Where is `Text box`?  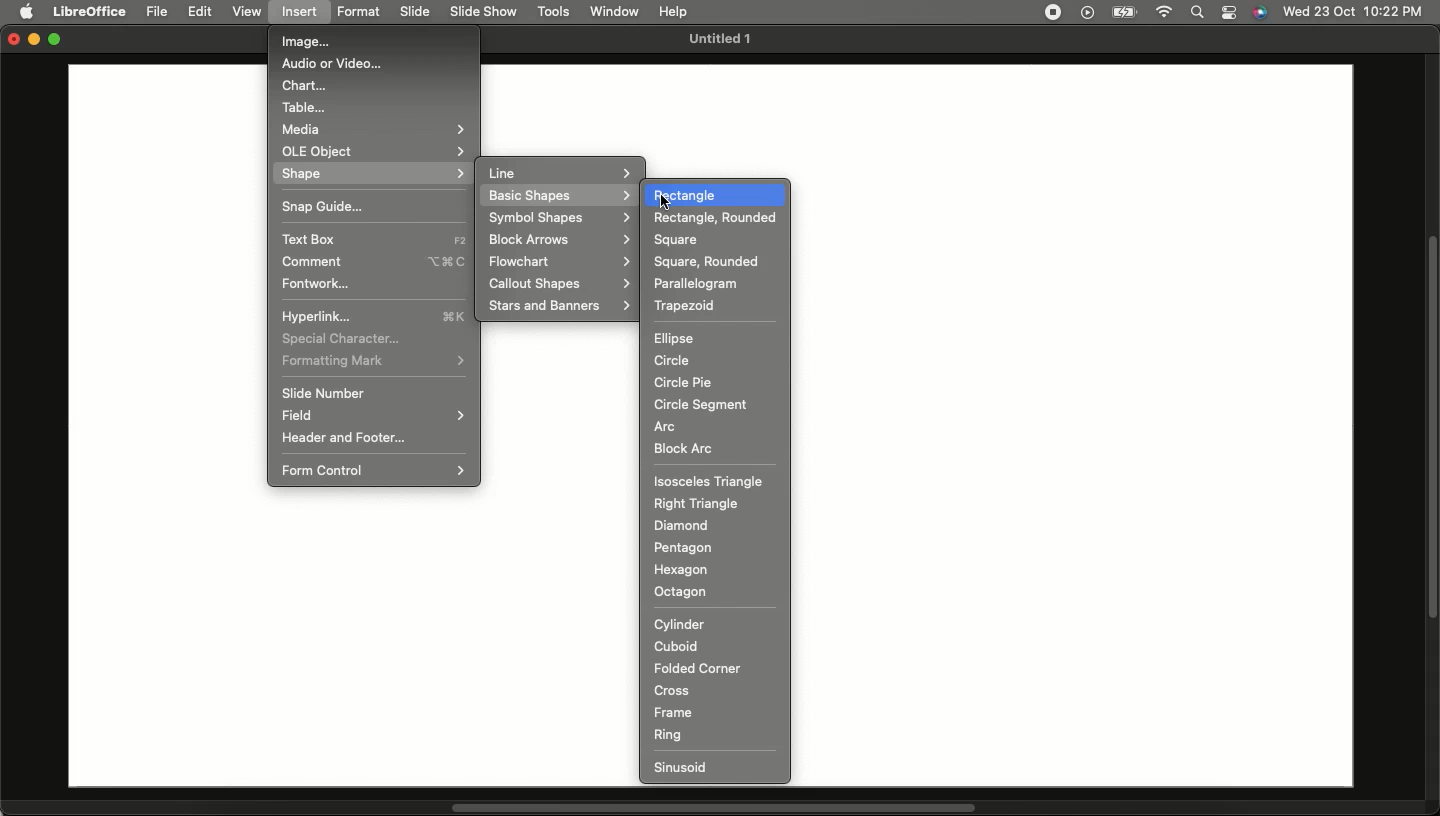
Text box is located at coordinates (374, 239).